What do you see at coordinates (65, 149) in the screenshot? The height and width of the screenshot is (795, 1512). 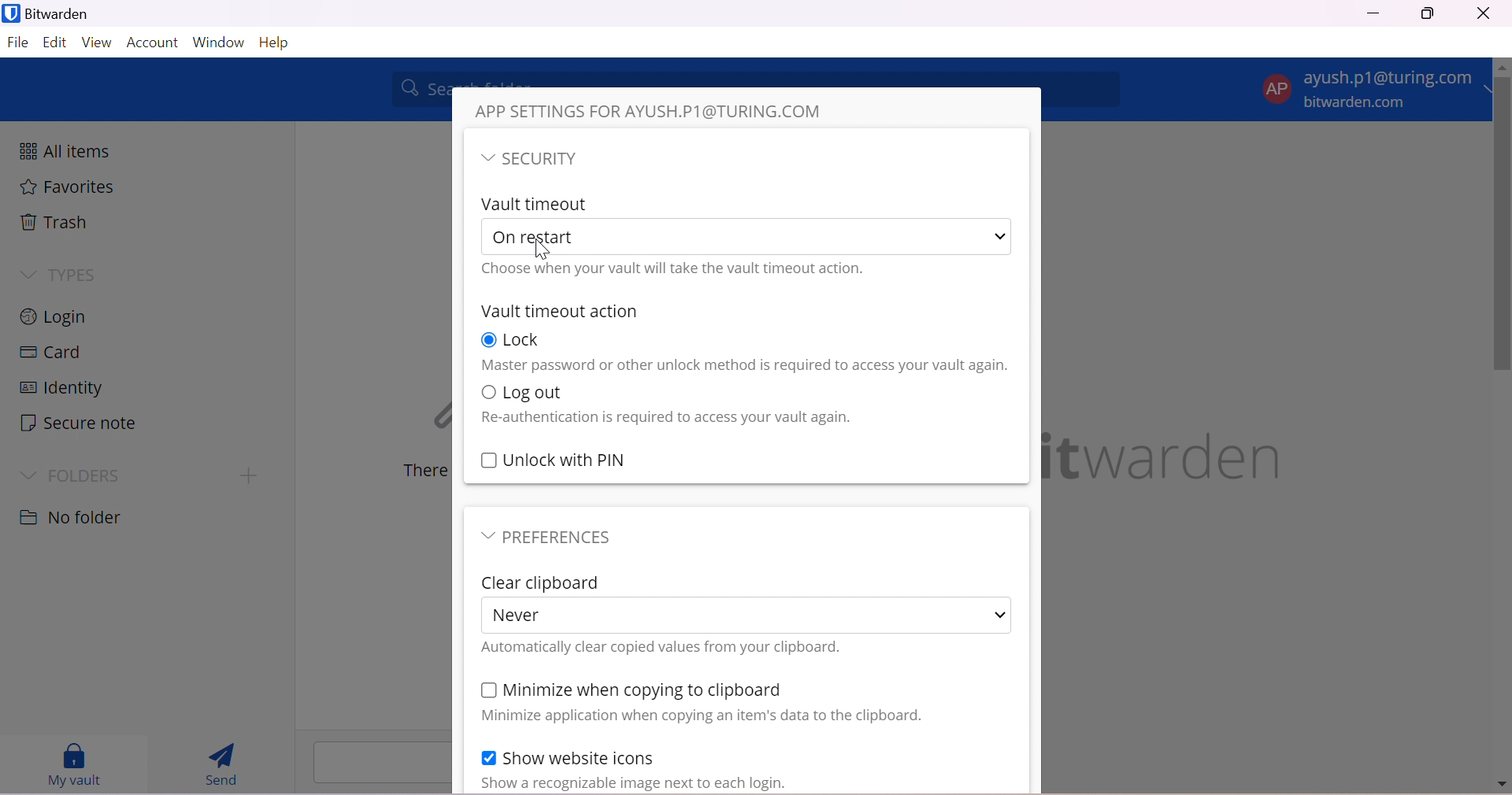 I see `All items` at bounding box center [65, 149].